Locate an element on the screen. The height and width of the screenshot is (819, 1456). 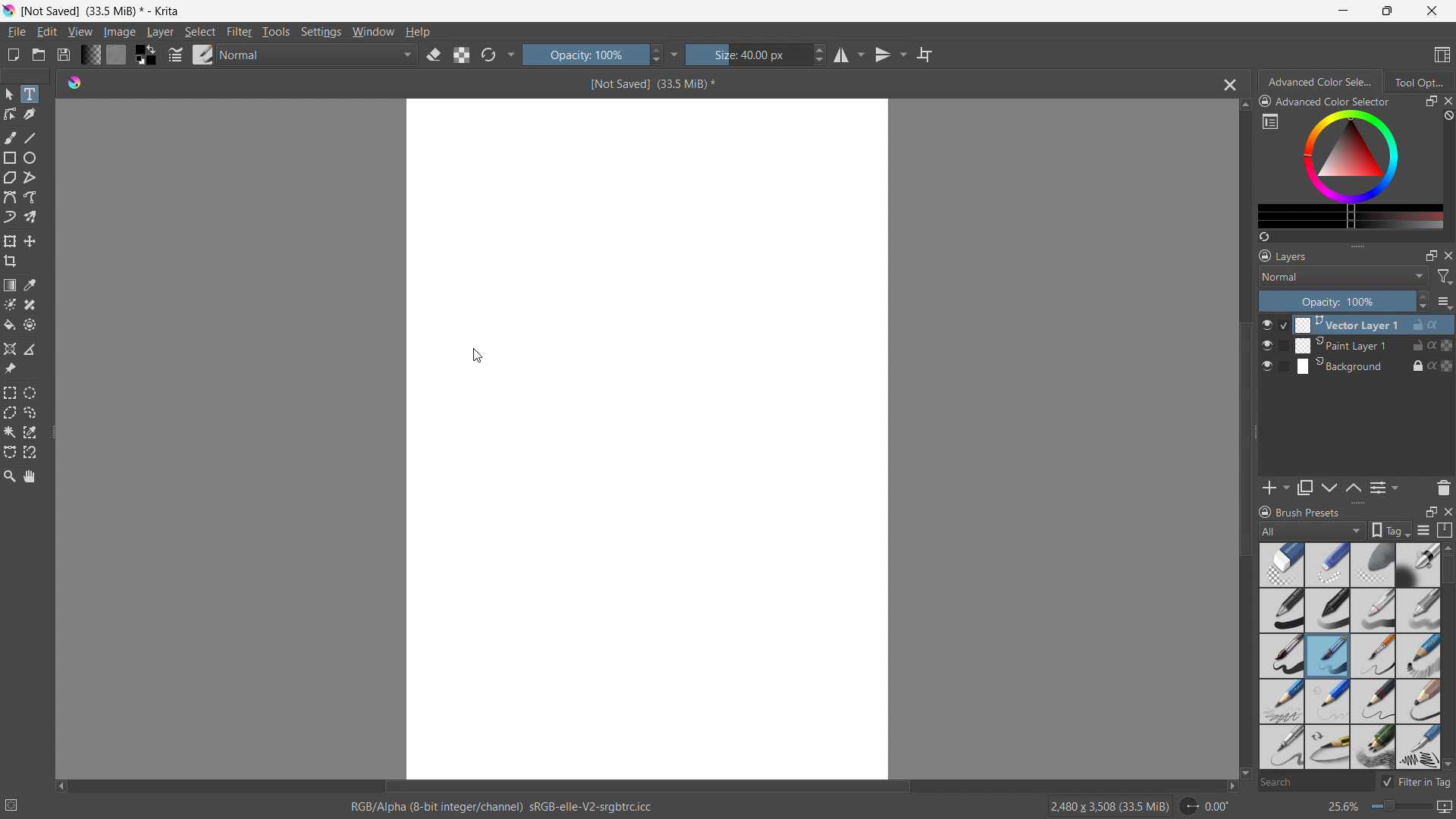
RGB/ Alpha (8- bit integer/ channel) is located at coordinates (502, 808).